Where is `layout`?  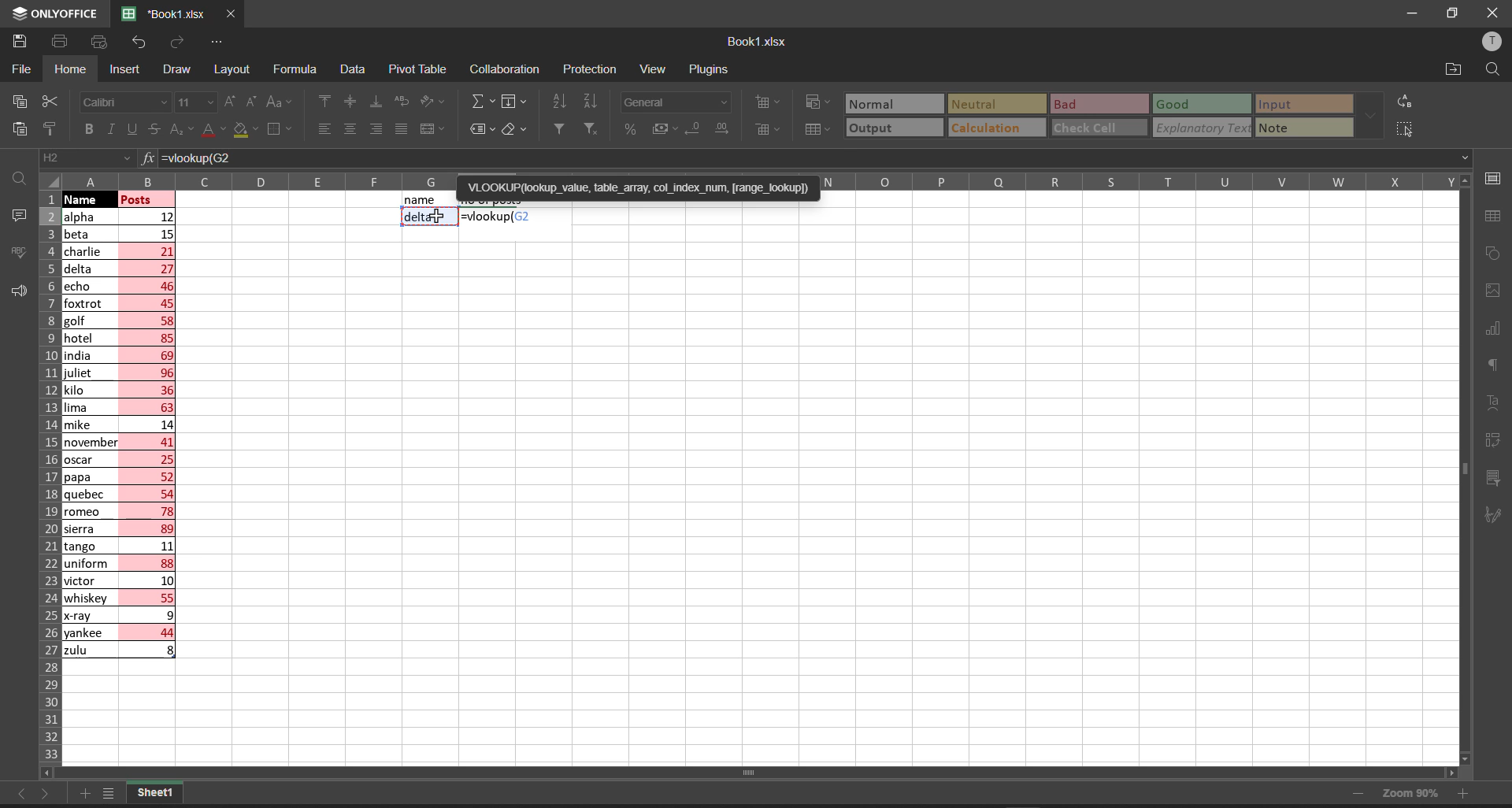 layout is located at coordinates (234, 70).